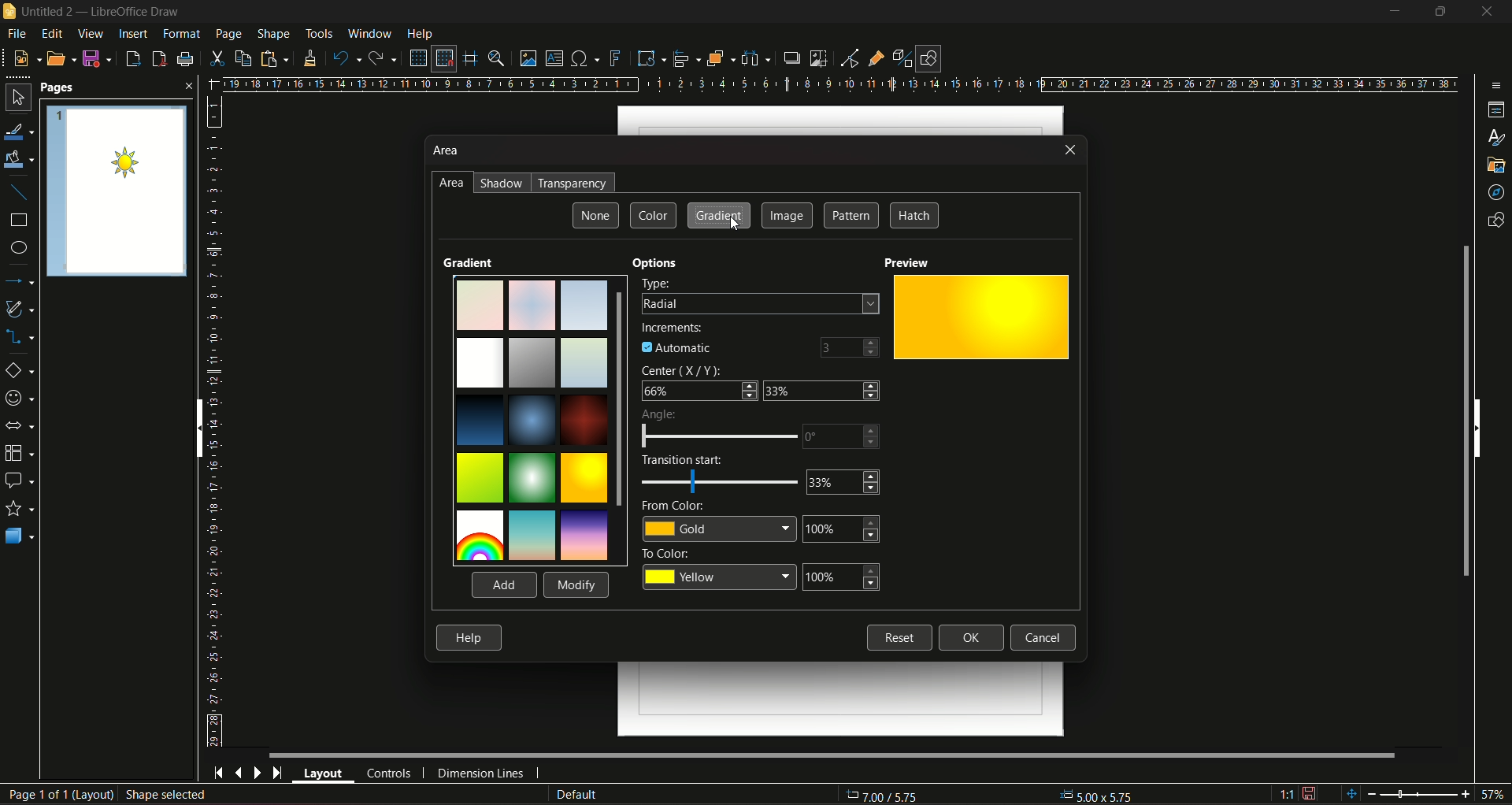  I want to click on transperancy, so click(576, 184).